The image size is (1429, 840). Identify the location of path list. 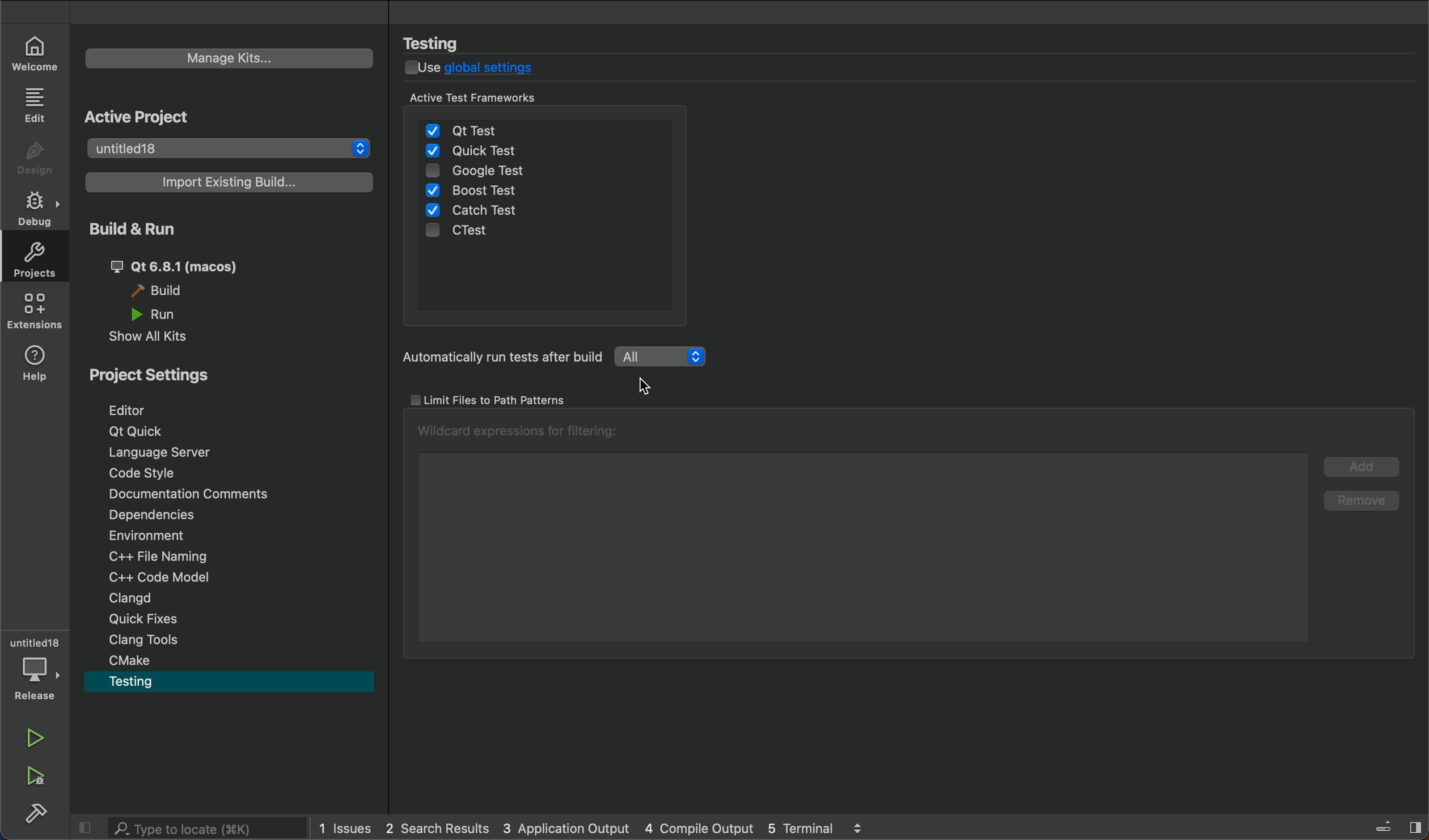
(856, 534).